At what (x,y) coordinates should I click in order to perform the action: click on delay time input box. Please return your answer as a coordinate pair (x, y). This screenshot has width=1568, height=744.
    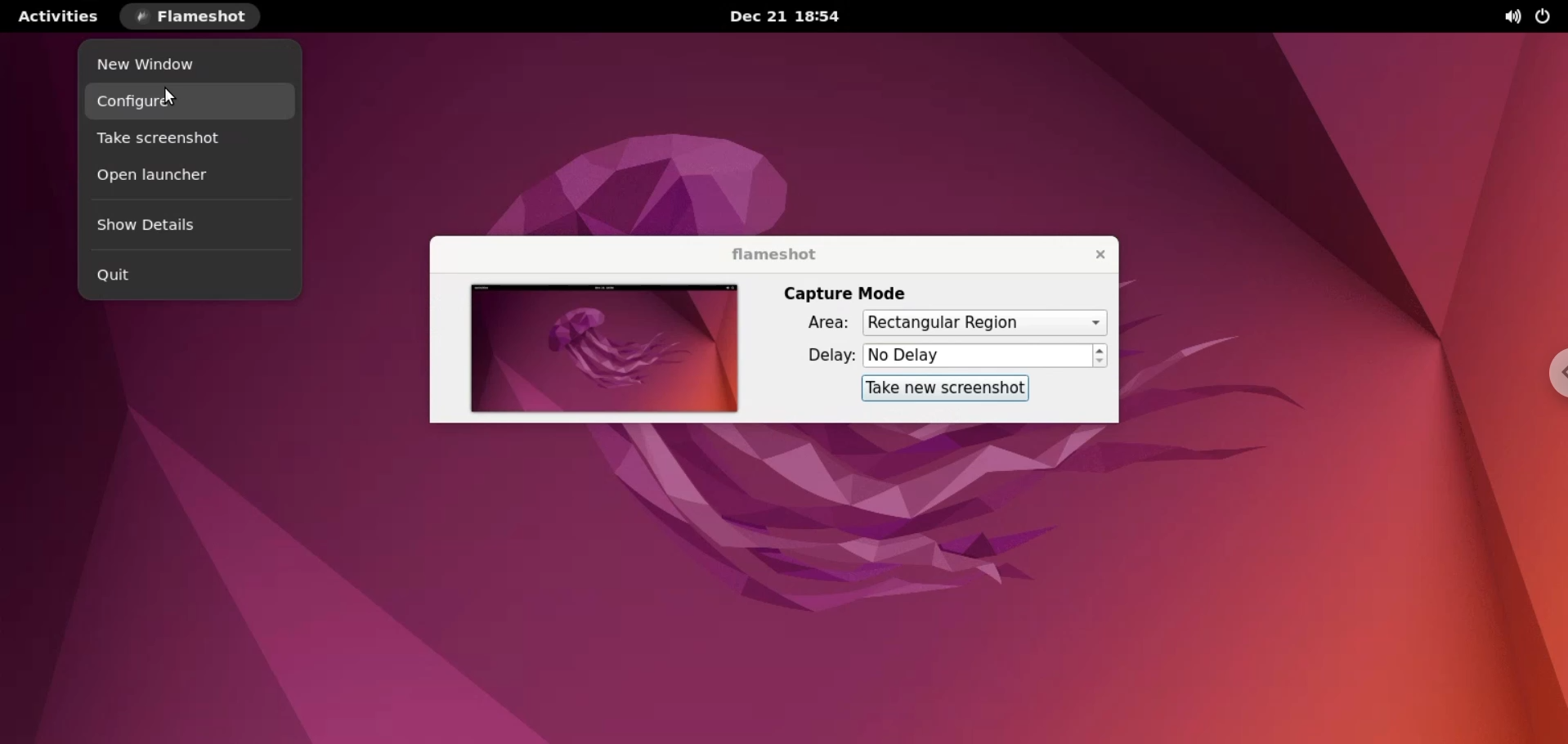
    Looking at the image, I should click on (979, 356).